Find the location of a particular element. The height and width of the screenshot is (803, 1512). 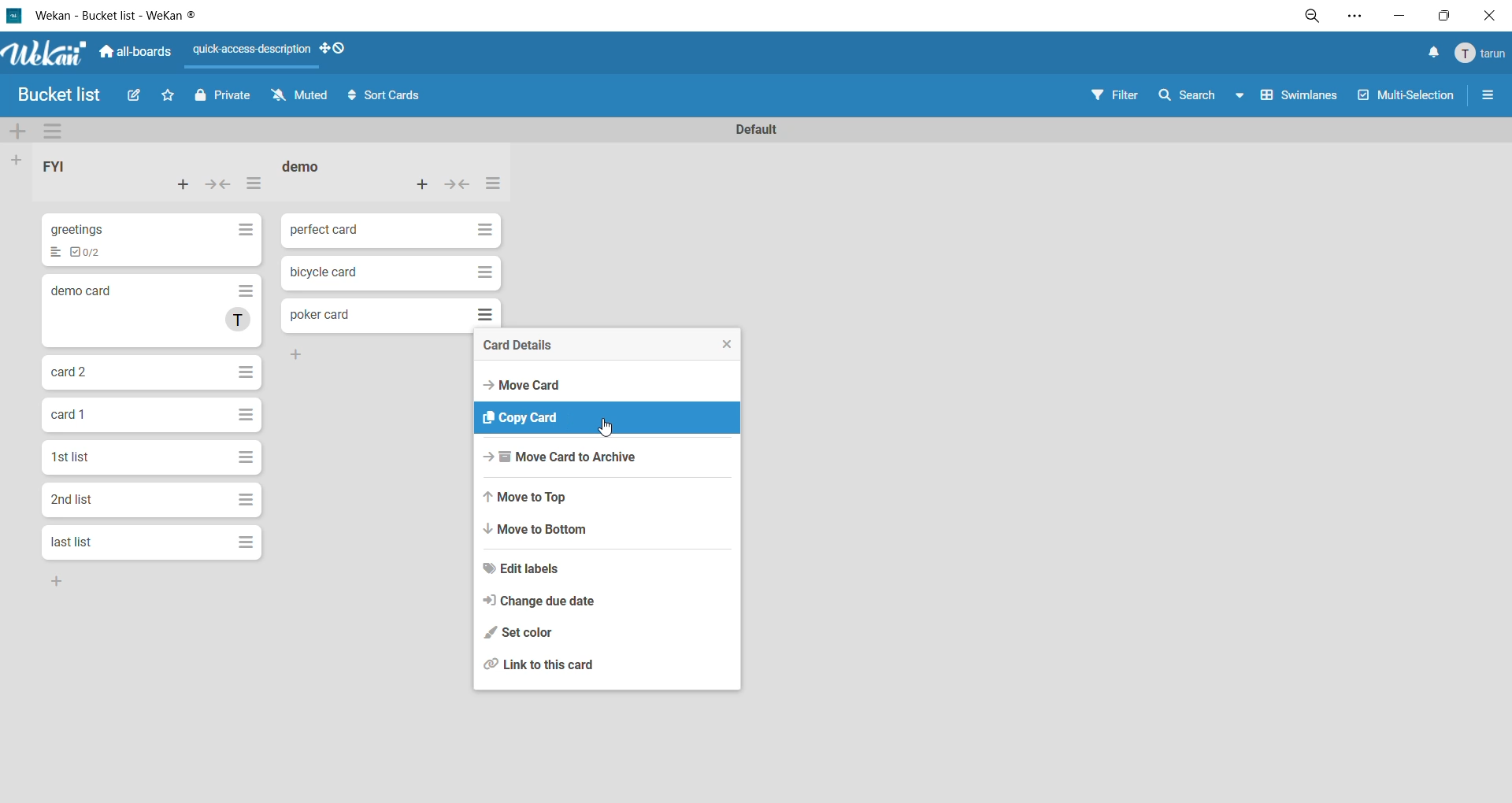

Todos is located at coordinates (92, 253).